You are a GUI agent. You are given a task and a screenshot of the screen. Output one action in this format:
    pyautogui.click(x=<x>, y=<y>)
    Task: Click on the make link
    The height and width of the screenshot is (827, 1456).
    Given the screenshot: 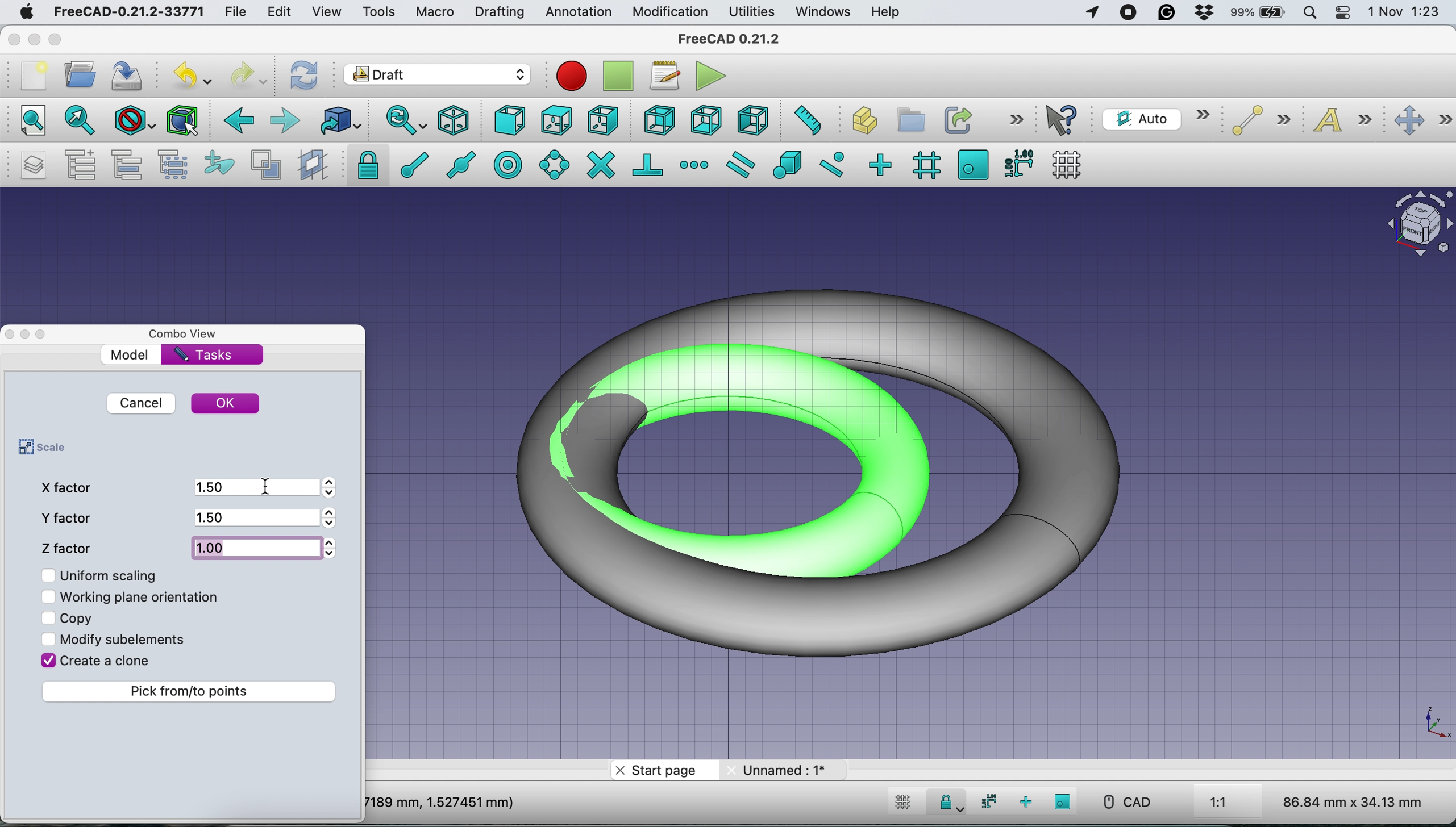 What is the action you would take?
    pyautogui.click(x=956, y=119)
    